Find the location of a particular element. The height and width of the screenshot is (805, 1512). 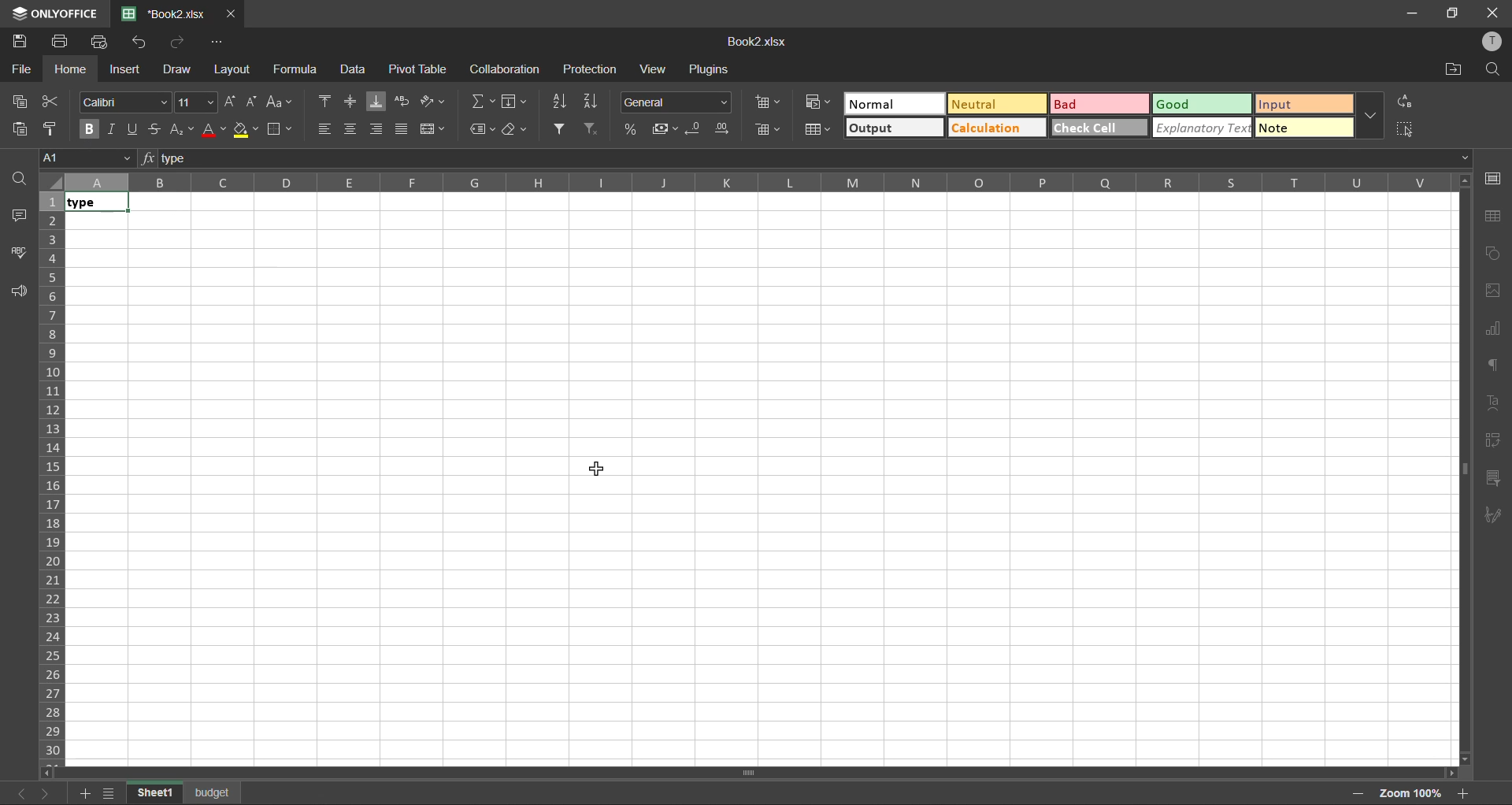

named ranges is located at coordinates (483, 130).